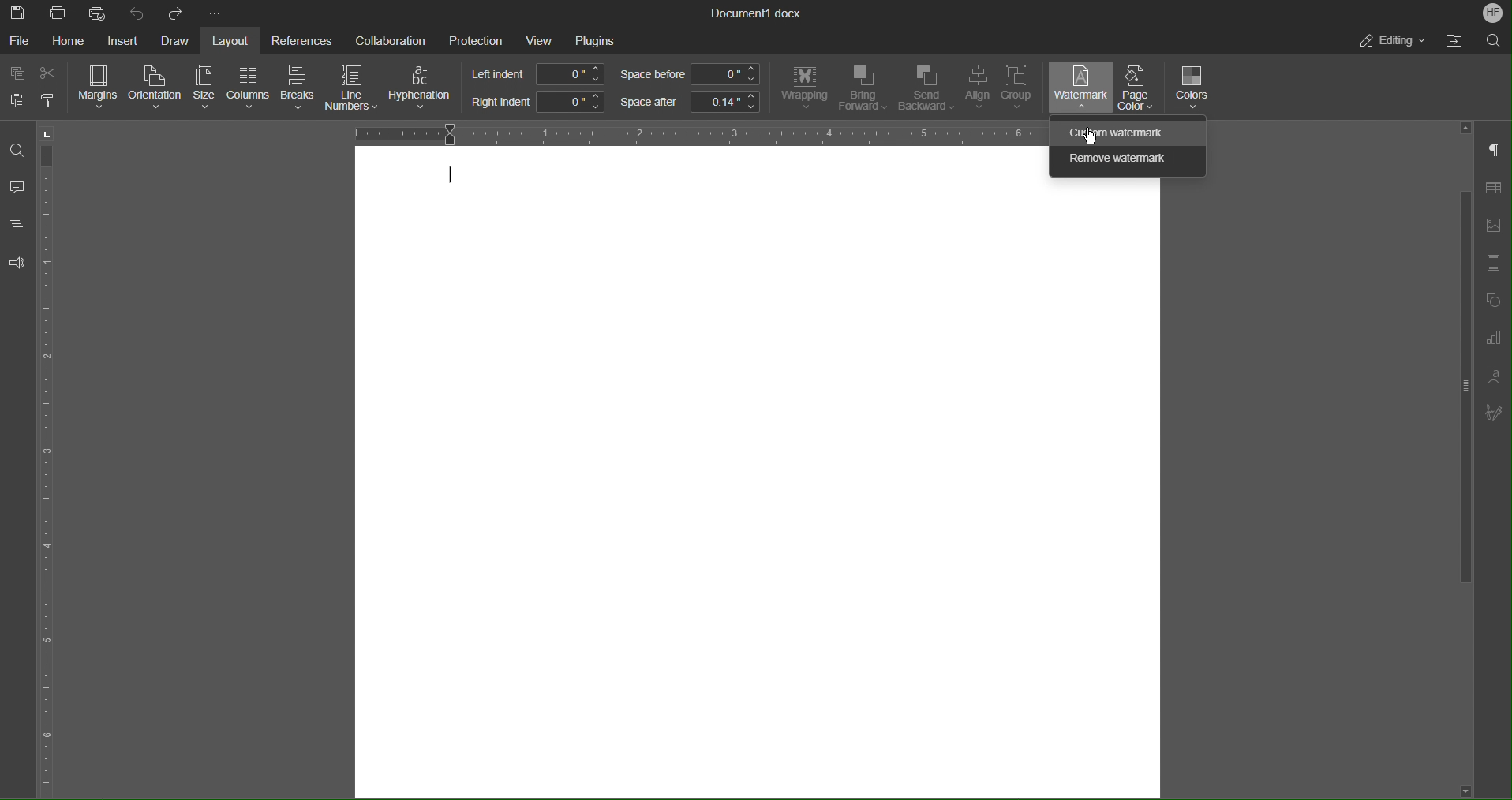 The height and width of the screenshot is (800, 1512). Describe the element at coordinates (99, 88) in the screenshot. I see `Margins` at that location.